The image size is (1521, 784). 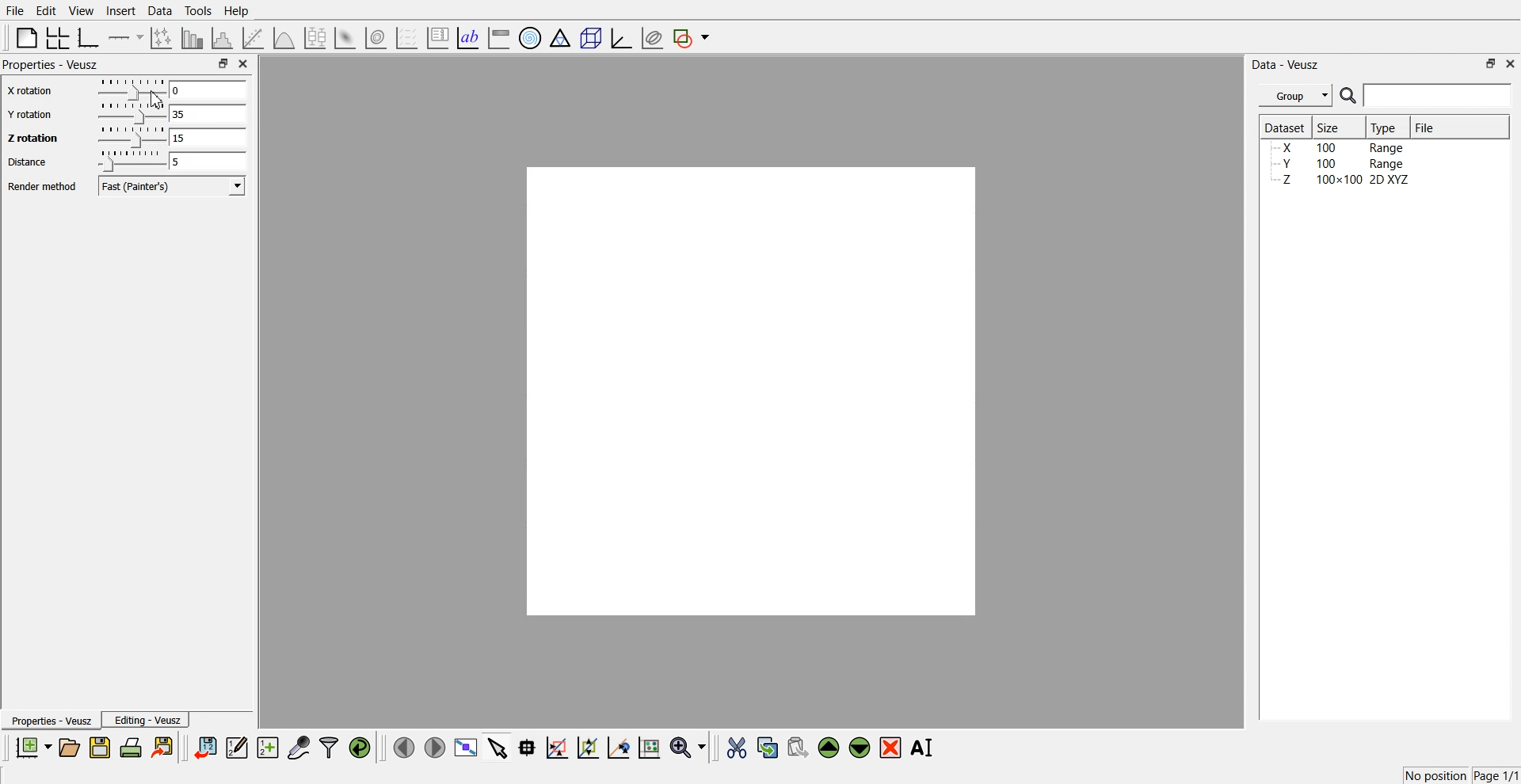 I want to click on Drag Handle, so click(x=131, y=113).